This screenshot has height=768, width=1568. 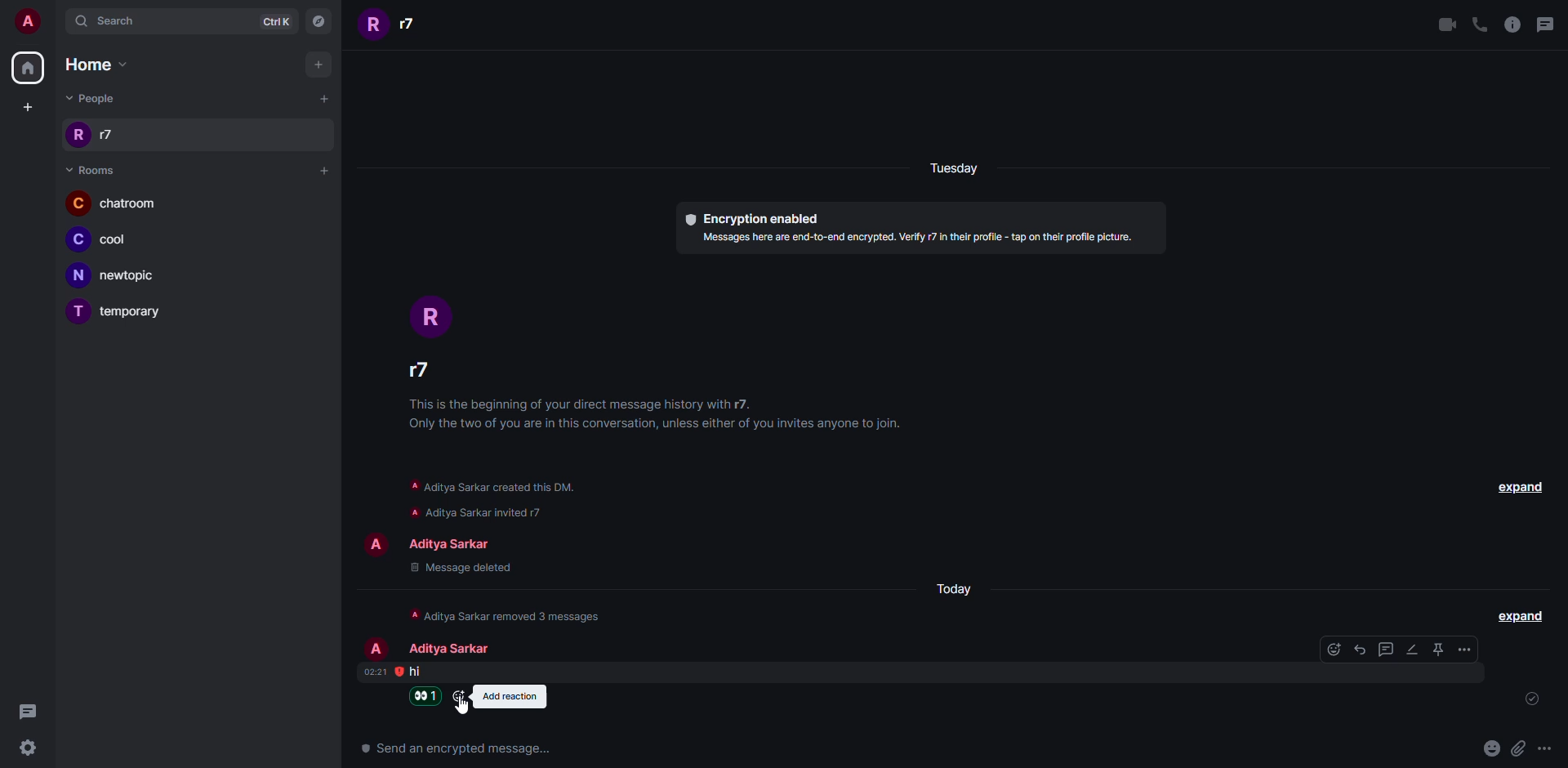 What do you see at coordinates (432, 310) in the screenshot?
I see `profile` at bounding box center [432, 310].